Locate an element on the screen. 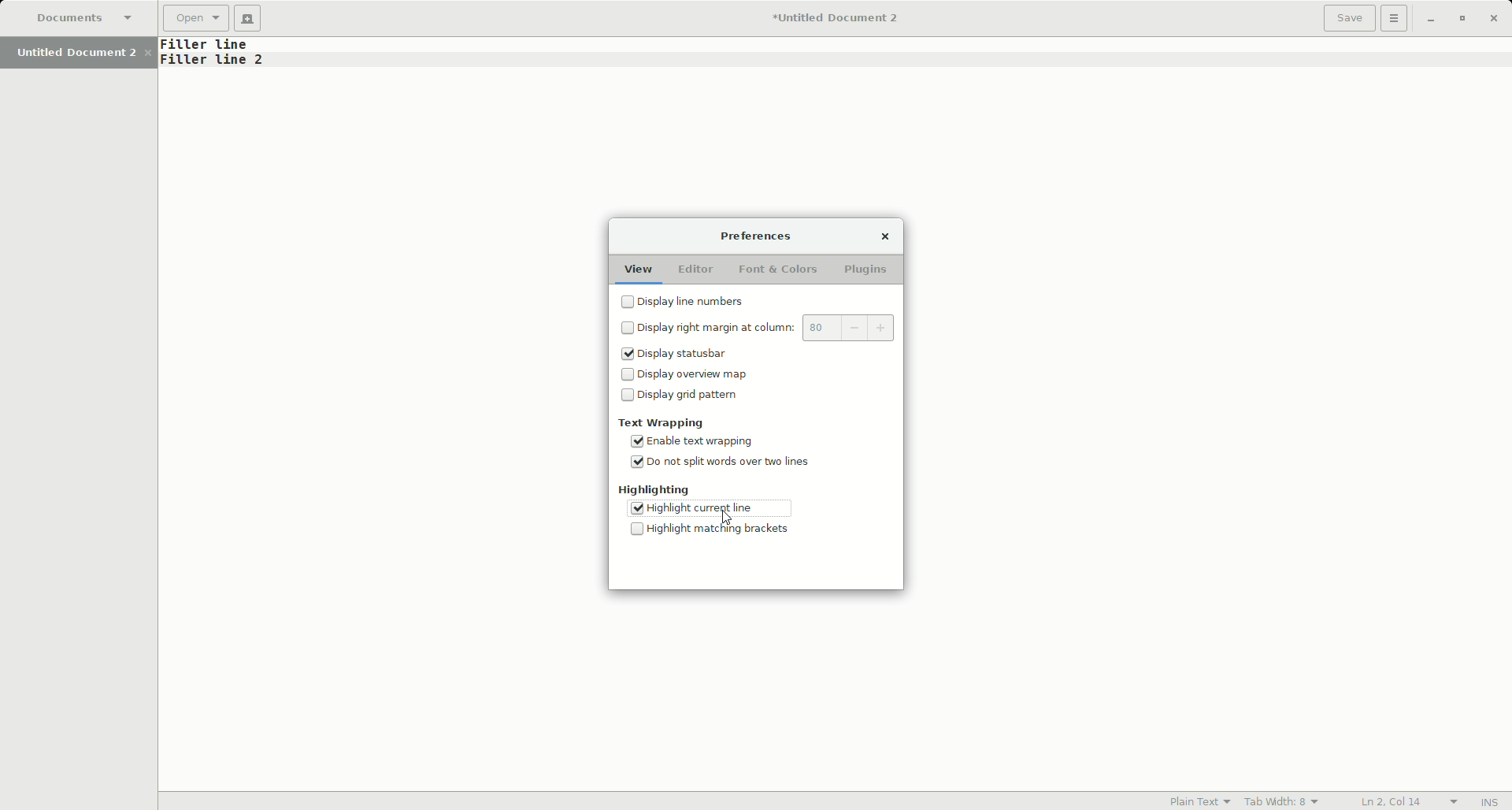  View is located at coordinates (637, 266).